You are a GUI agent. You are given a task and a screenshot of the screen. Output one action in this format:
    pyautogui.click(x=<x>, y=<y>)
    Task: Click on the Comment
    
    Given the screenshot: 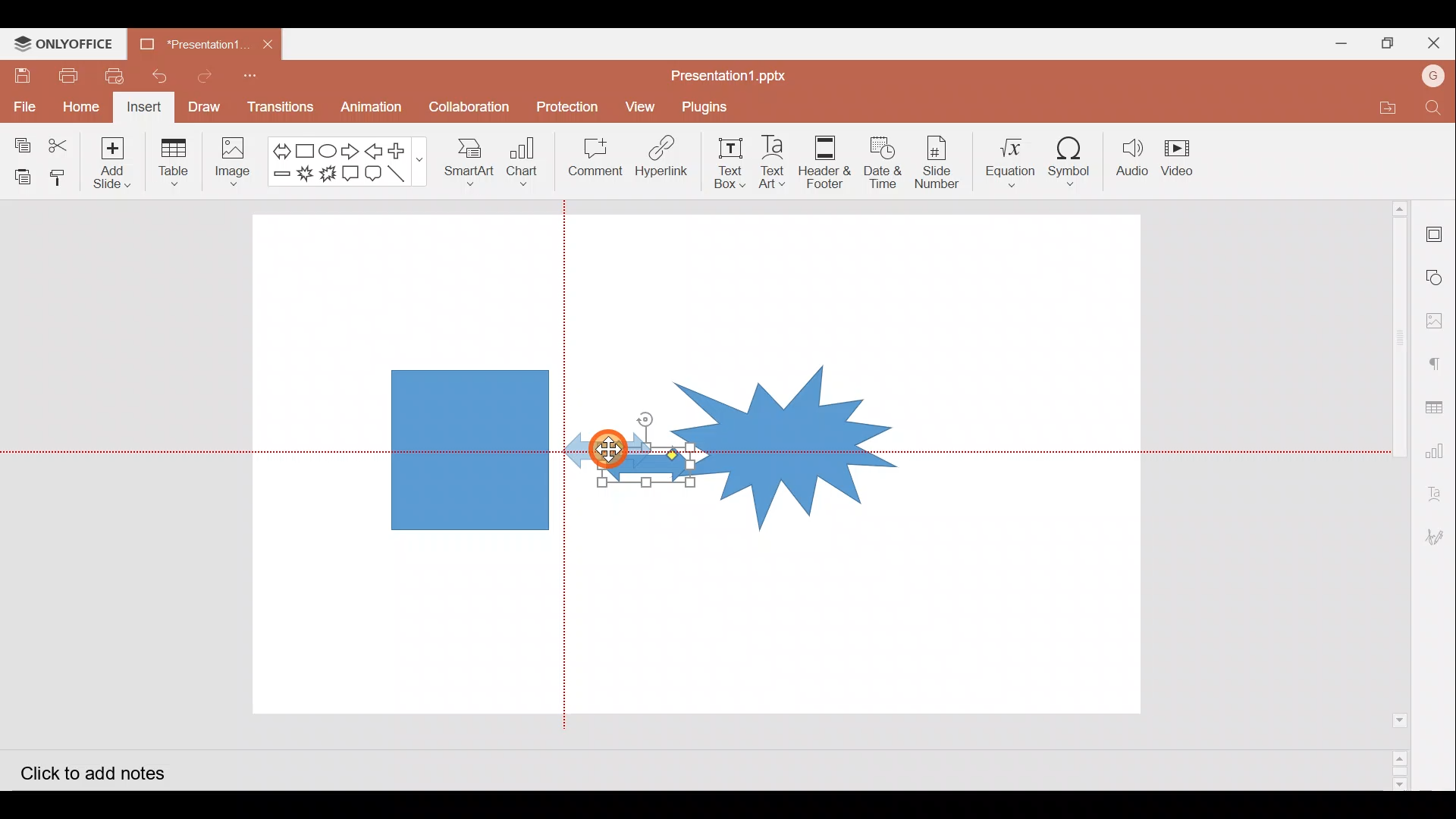 What is the action you would take?
    pyautogui.click(x=596, y=160)
    